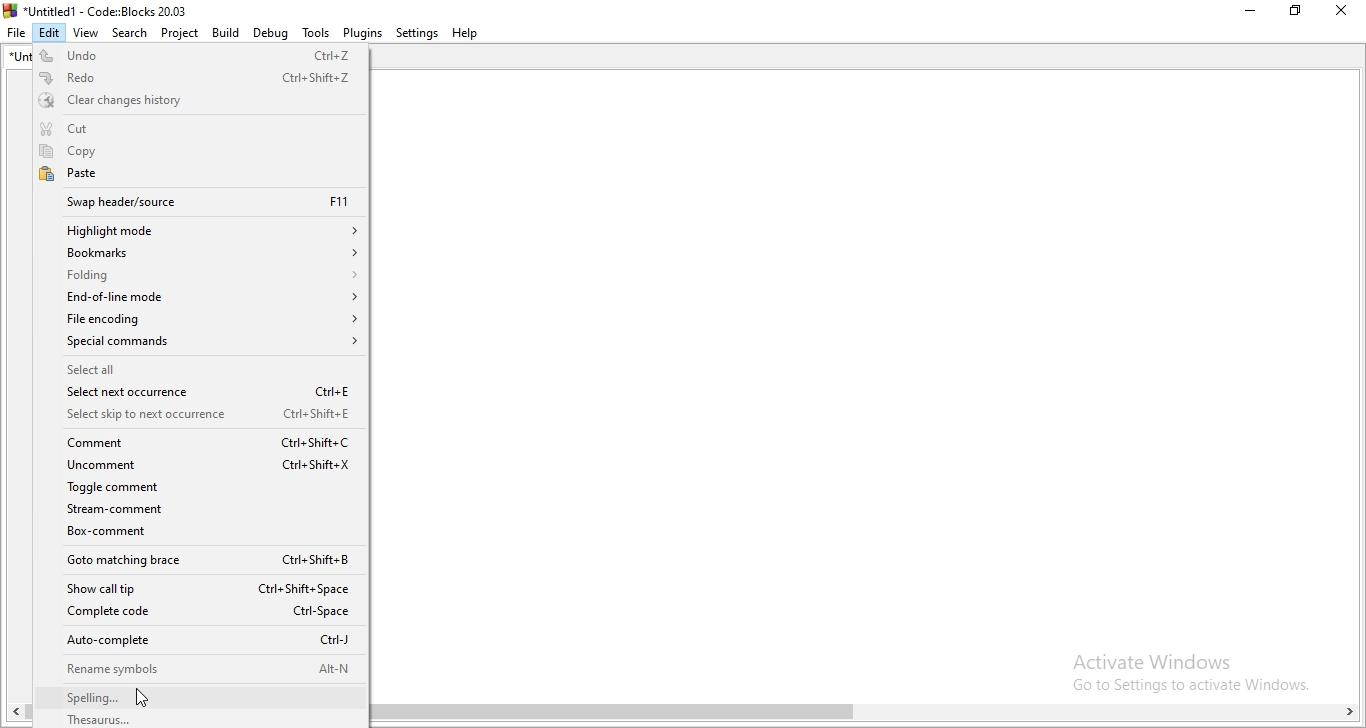 The image size is (1366, 728). What do you see at coordinates (200, 175) in the screenshot?
I see `Paste` at bounding box center [200, 175].